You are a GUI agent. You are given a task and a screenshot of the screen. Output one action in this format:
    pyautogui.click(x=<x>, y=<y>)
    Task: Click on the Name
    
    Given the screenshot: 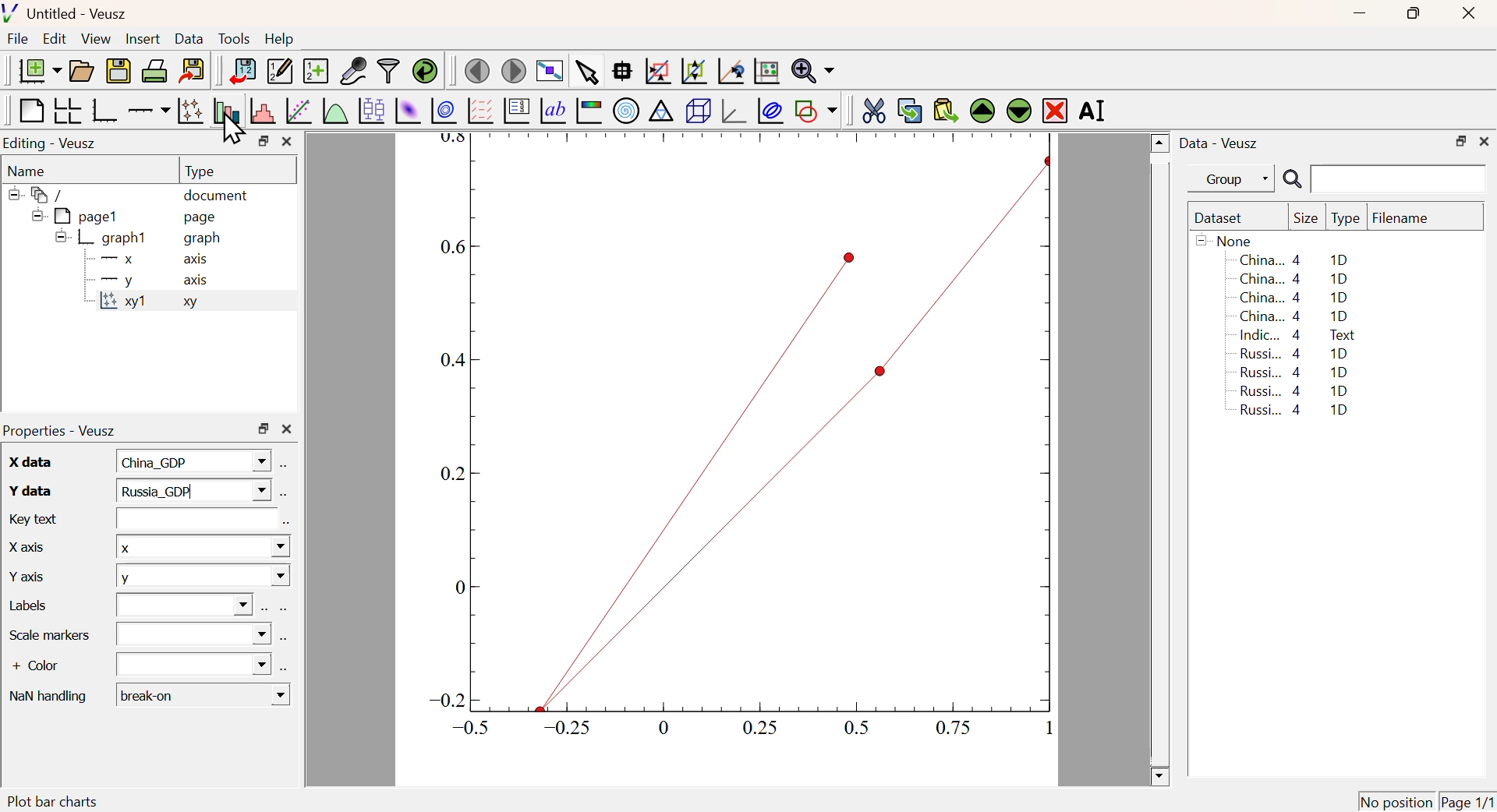 What is the action you would take?
    pyautogui.click(x=28, y=171)
    